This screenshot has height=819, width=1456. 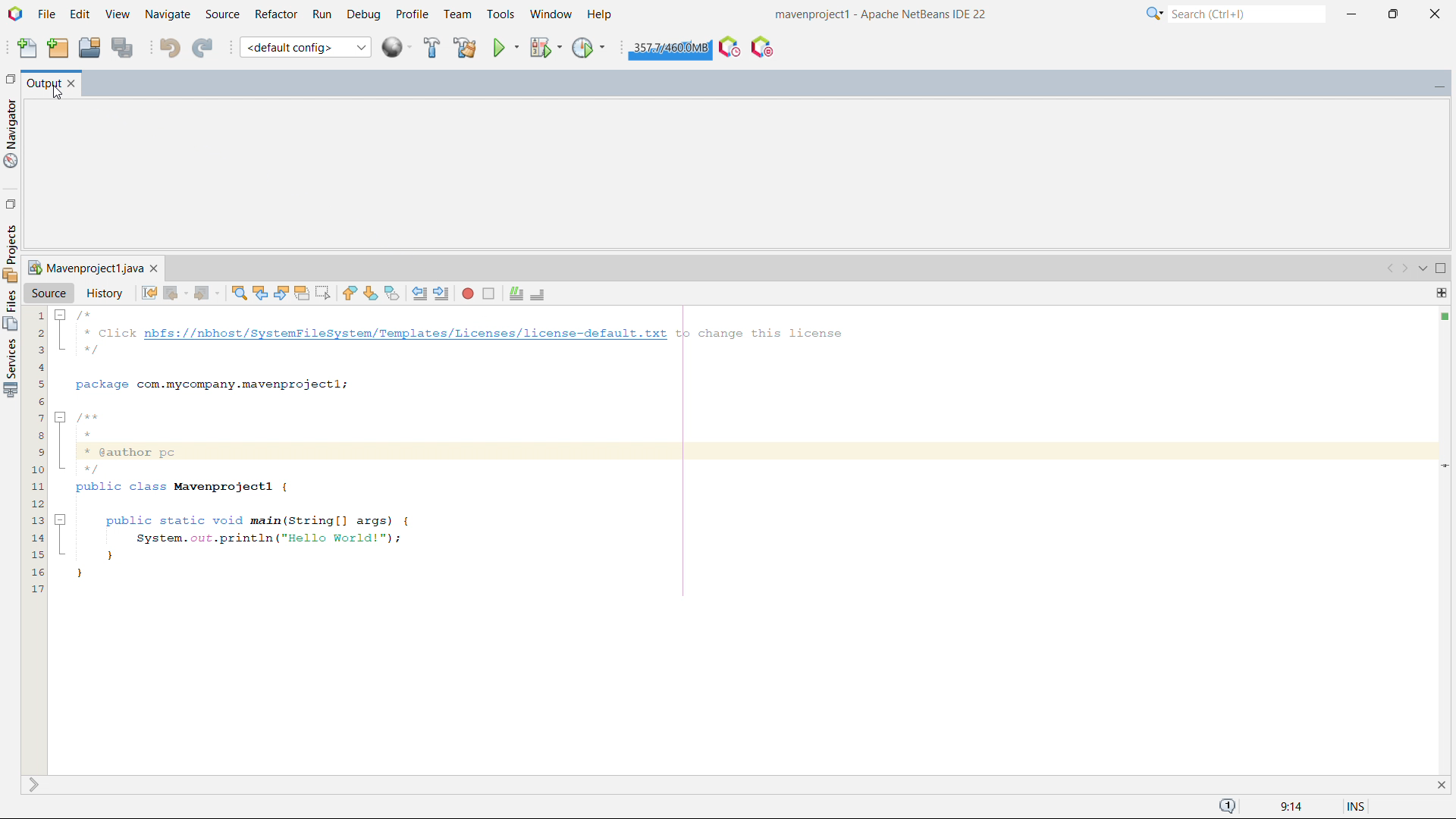 What do you see at coordinates (488, 293) in the screenshot?
I see `stop macro recording ` at bounding box center [488, 293].